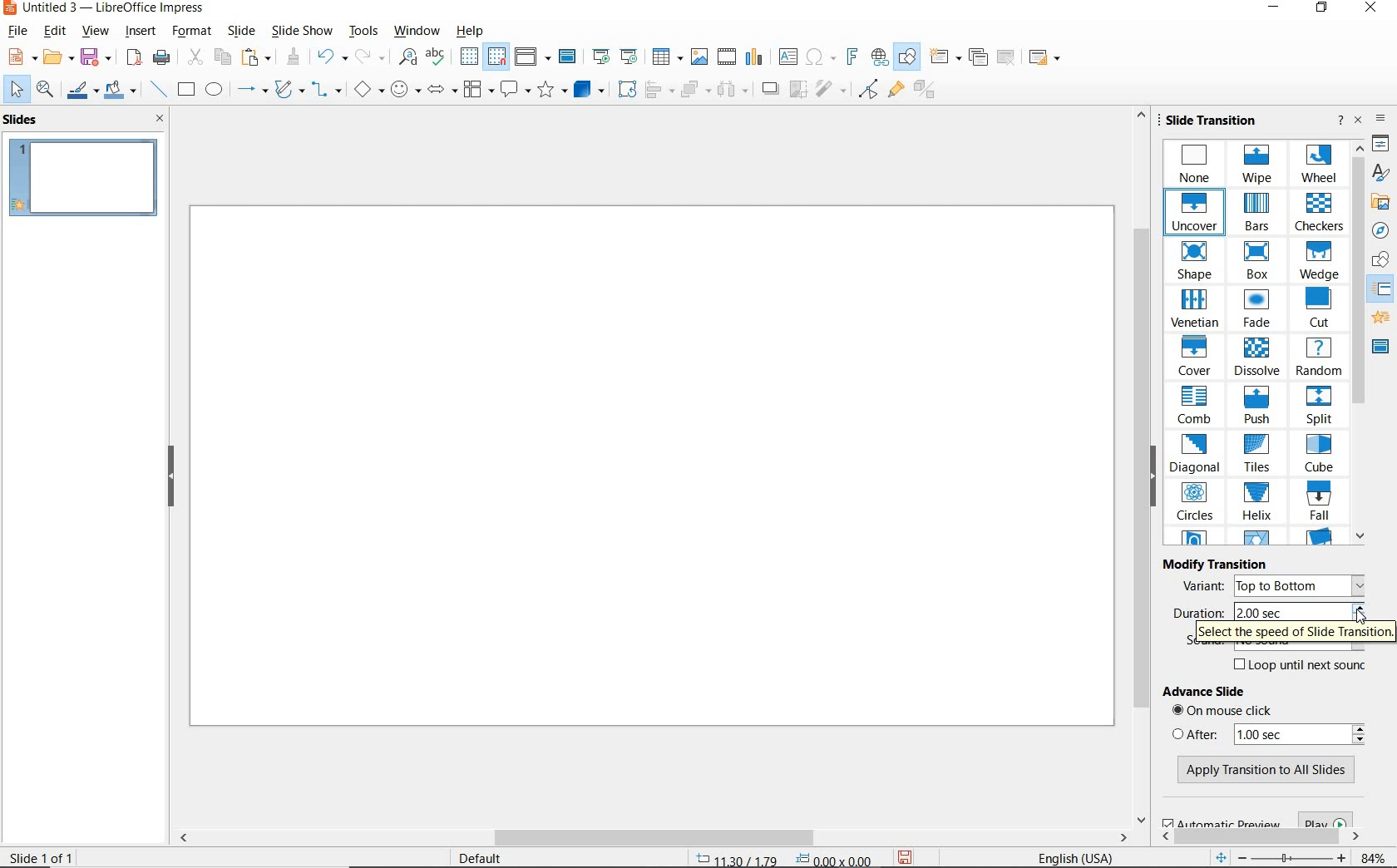 This screenshot has height=868, width=1397. What do you see at coordinates (659, 89) in the screenshot?
I see `ALIGN OBJECTS` at bounding box center [659, 89].